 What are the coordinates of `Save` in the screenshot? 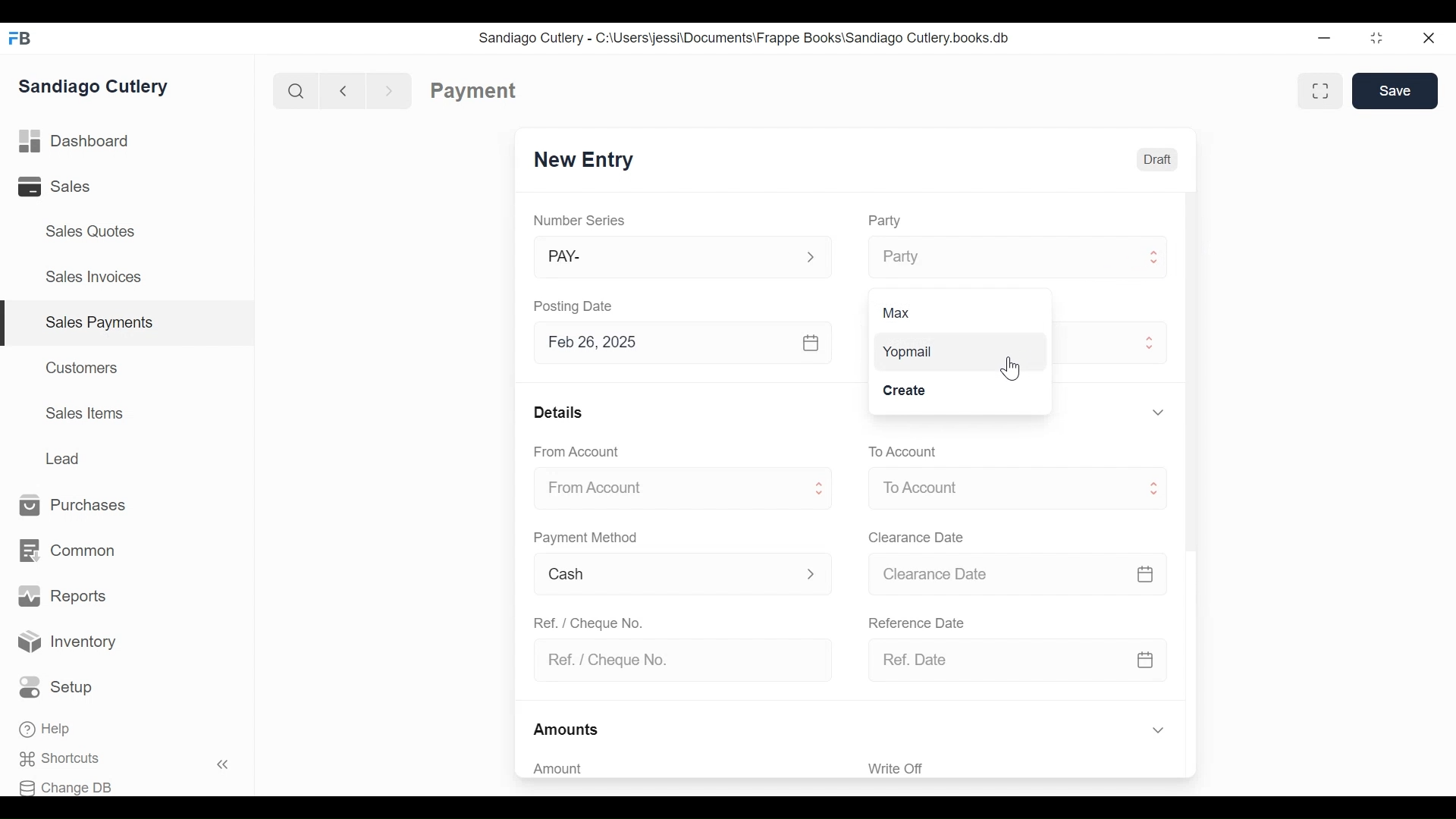 It's located at (1395, 91).